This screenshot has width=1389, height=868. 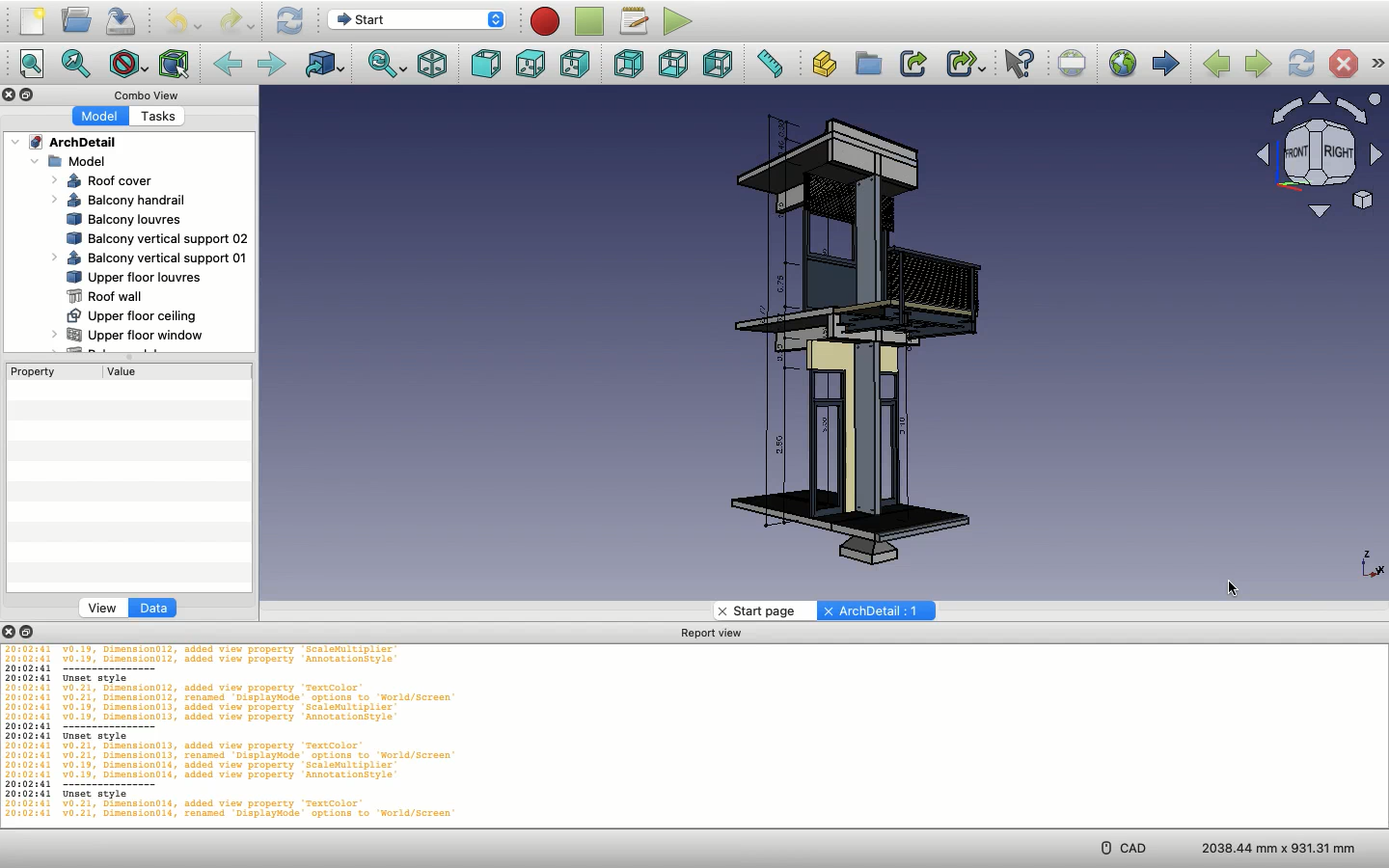 I want to click on New, so click(x=34, y=20).